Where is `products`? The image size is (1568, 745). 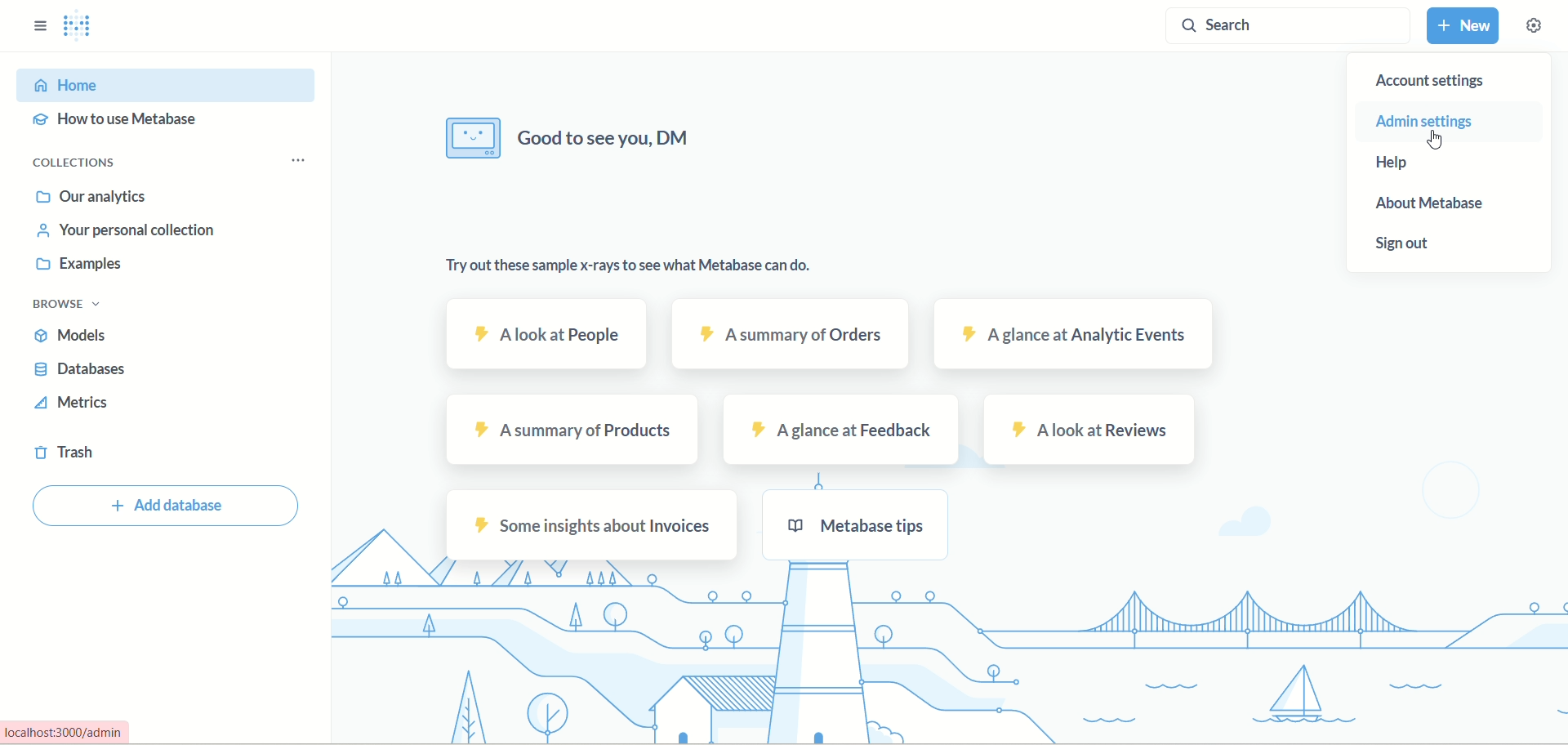 products is located at coordinates (574, 429).